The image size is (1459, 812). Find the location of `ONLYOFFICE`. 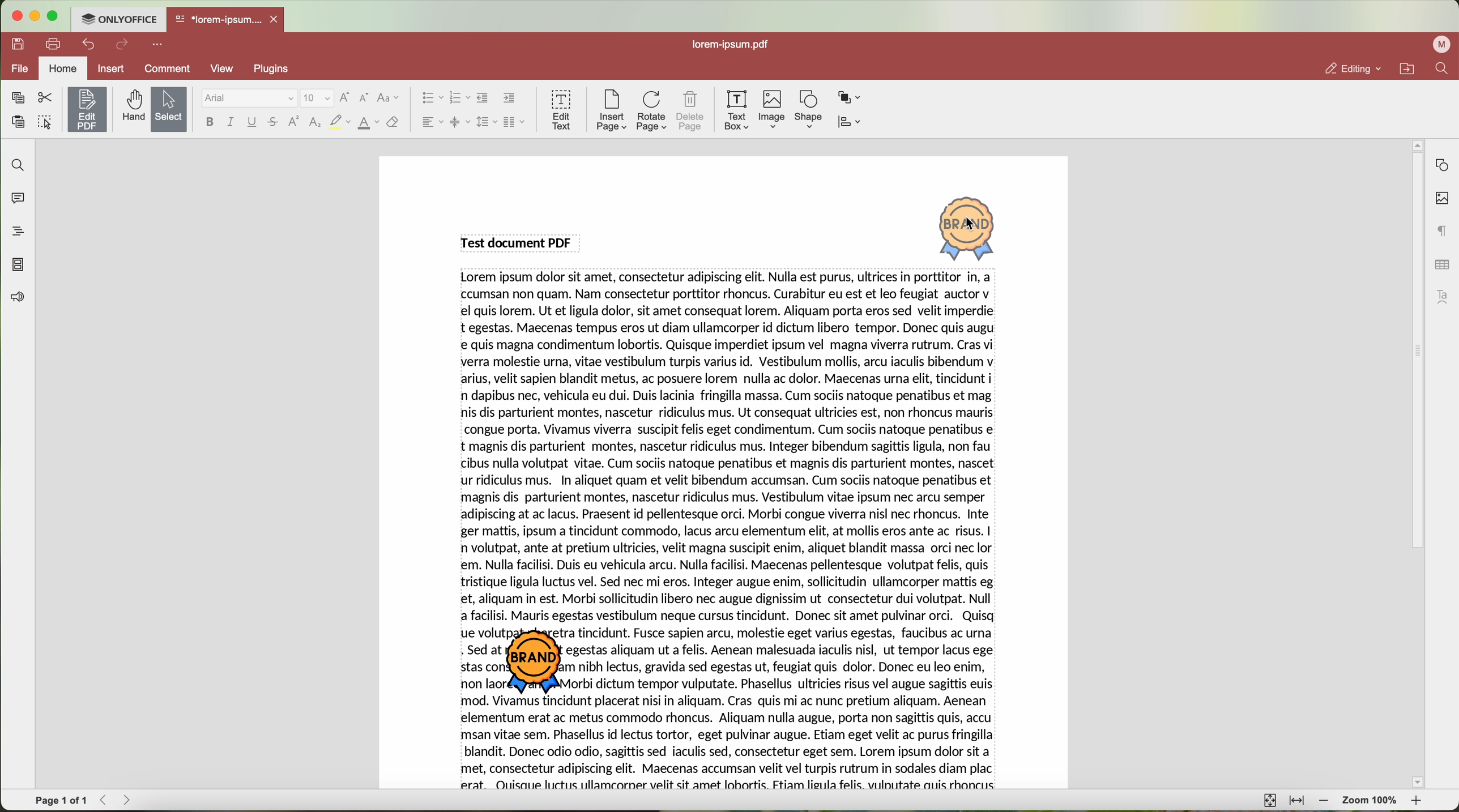

ONLYOFFICE is located at coordinates (118, 18).